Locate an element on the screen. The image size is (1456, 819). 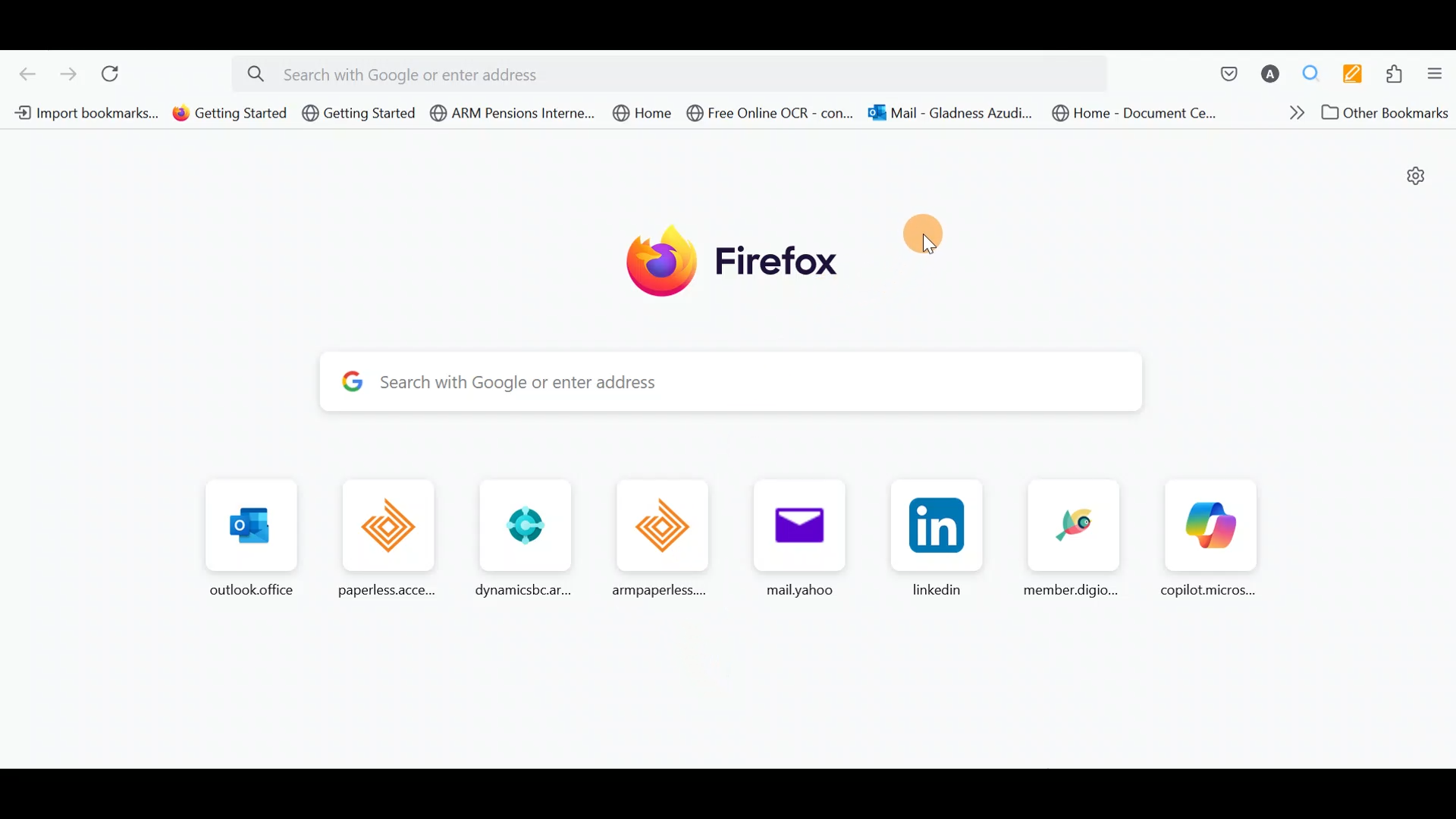
Multiple search & highlight is located at coordinates (1316, 73).